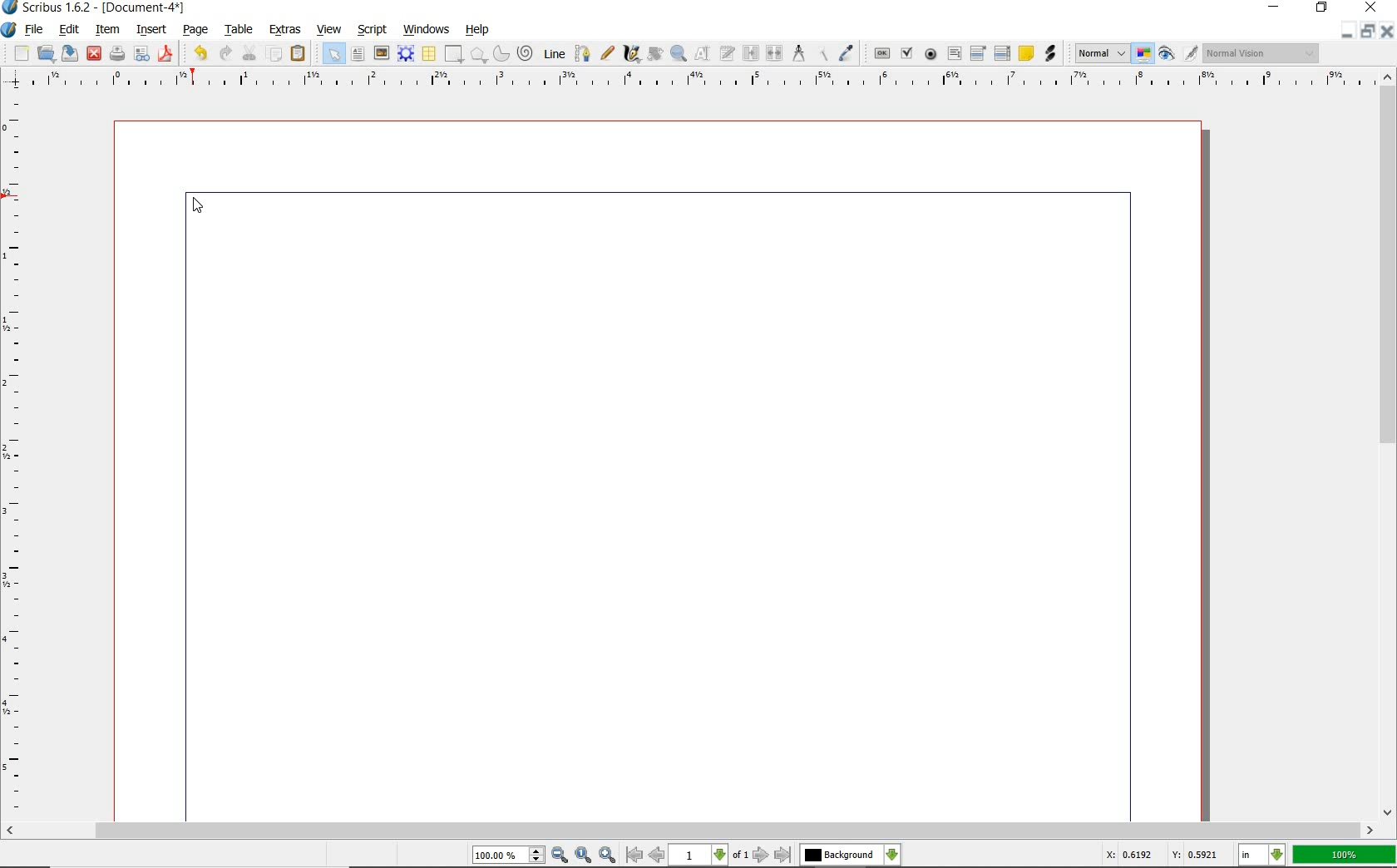 Image resolution: width=1397 pixels, height=868 pixels. What do you see at coordinates (1144, 55) in the screenshot?
I see `toggle color management` at bounding box center [1144, 55].